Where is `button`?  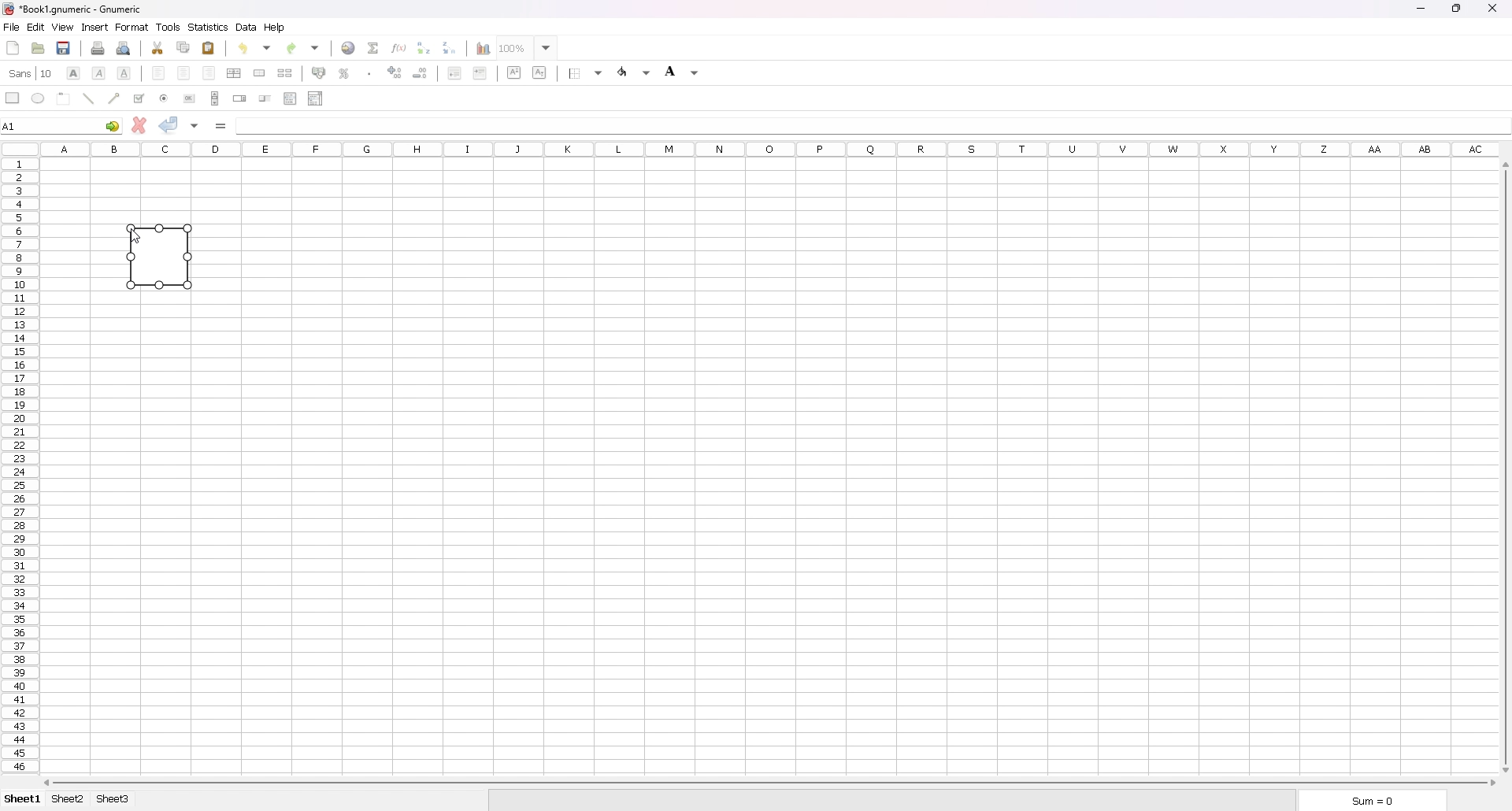 button is located at coordinates (190, 98).